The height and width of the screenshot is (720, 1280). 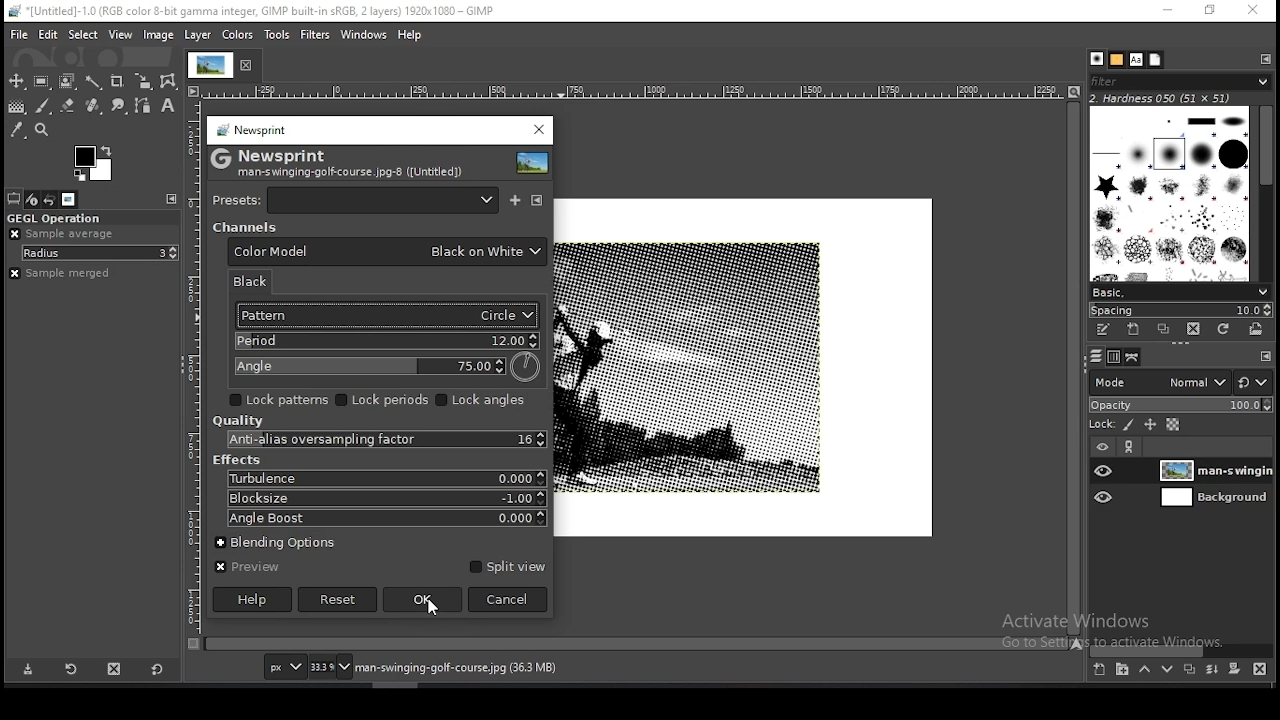 What do you see at coordinates (1260, 332) in the screenshot?
I see `open brush as image` at bounding box center [1260, 332].